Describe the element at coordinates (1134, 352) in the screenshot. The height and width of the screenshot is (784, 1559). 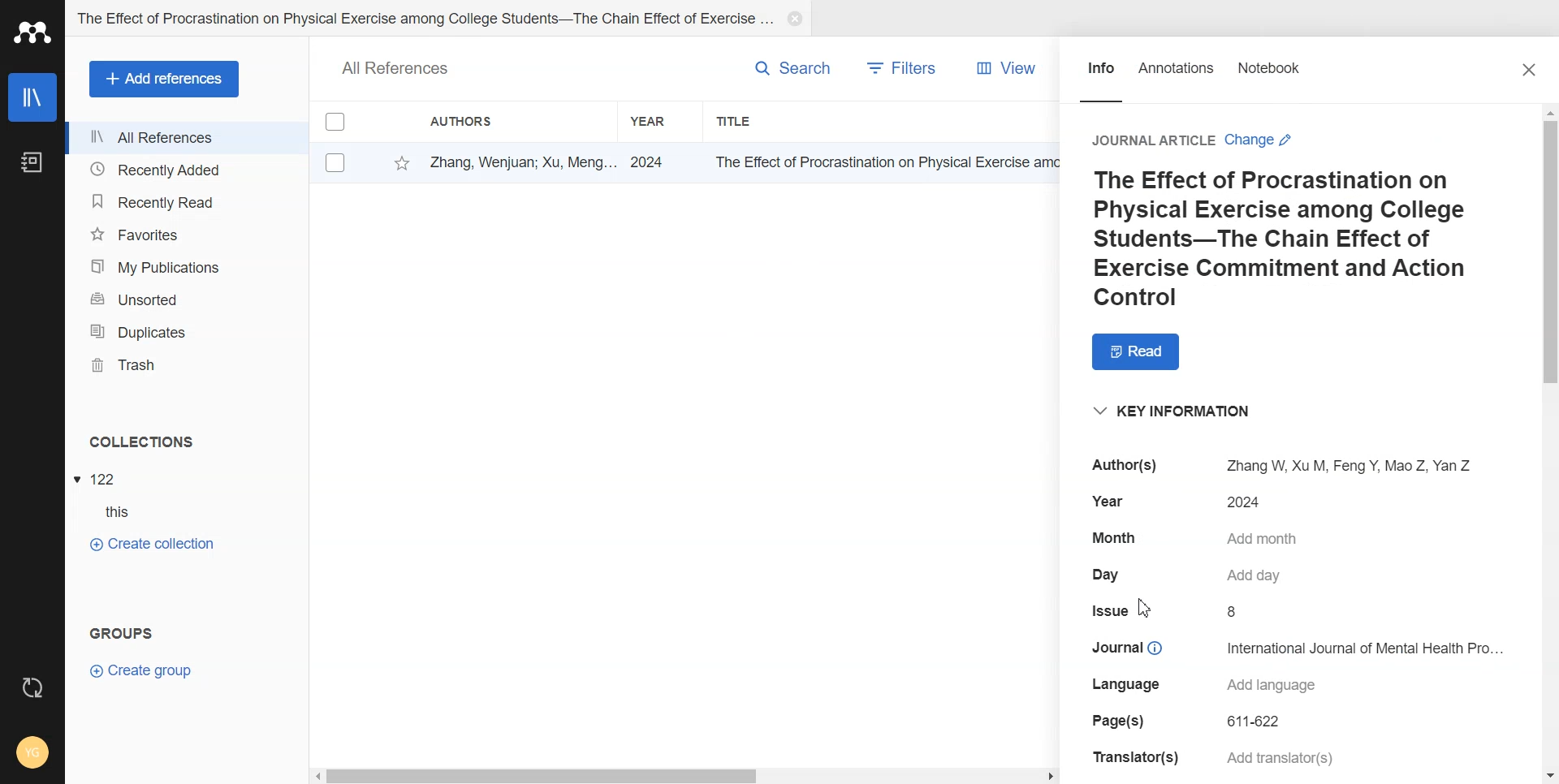
I see `Read` at that location.